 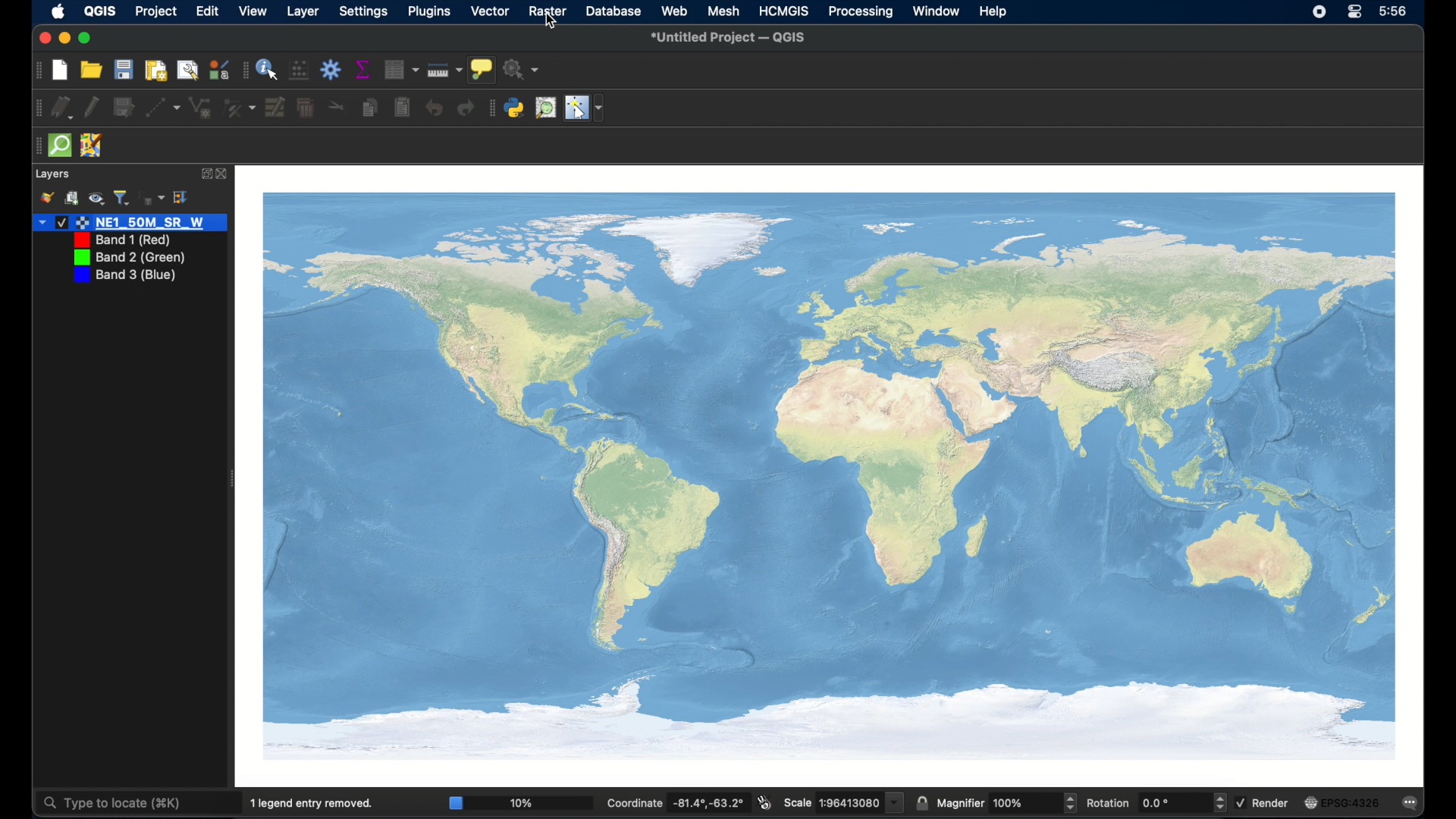 I want to click on HCMGIS, so click(x=783, y=11).